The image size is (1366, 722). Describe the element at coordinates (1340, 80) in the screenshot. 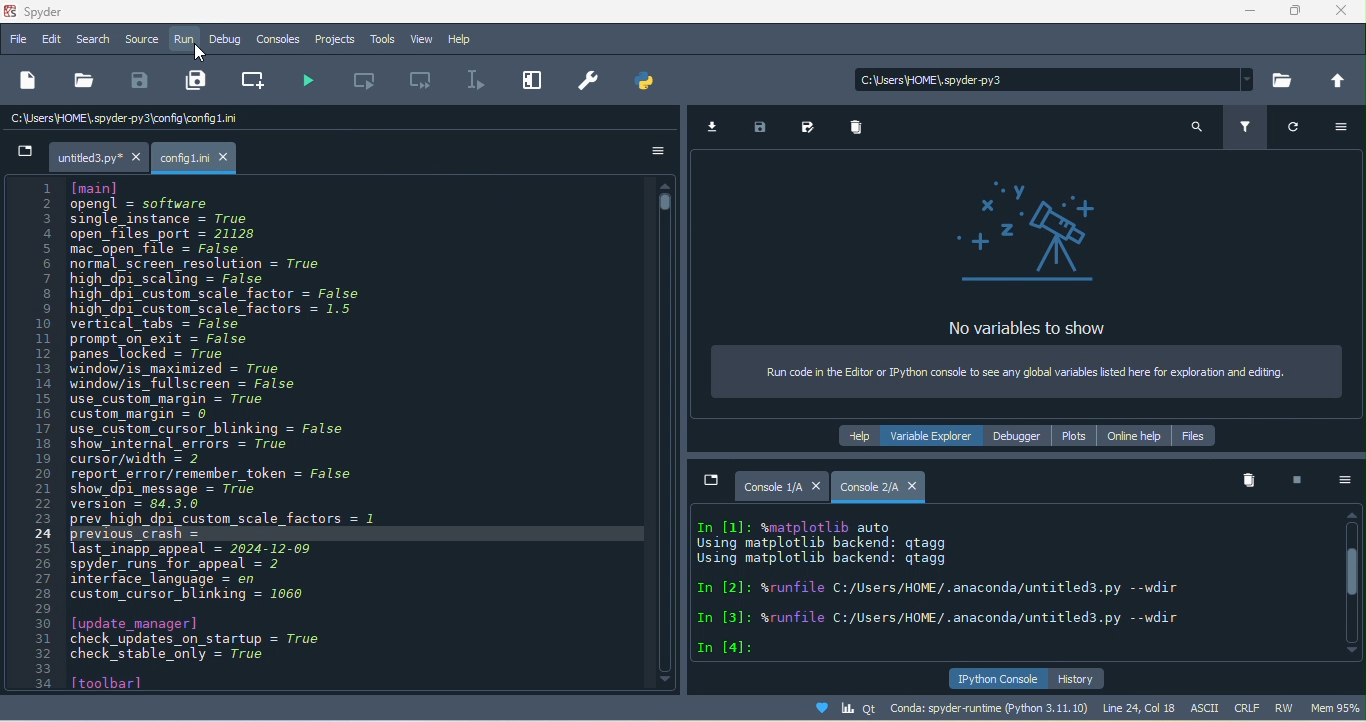

I see `change to parent directory` at that location.